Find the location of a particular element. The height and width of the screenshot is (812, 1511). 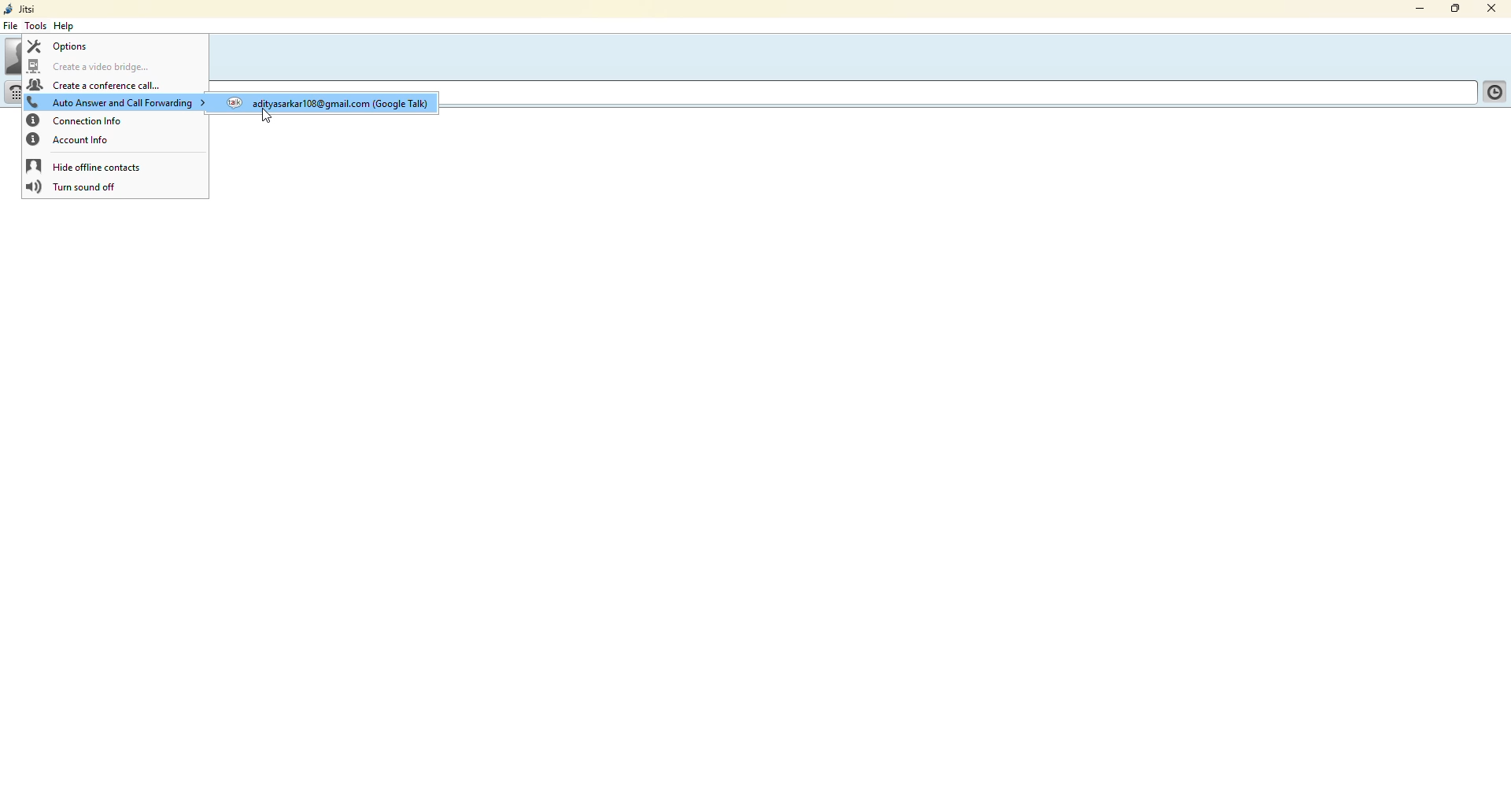

options is located at coordinates (63, 46).